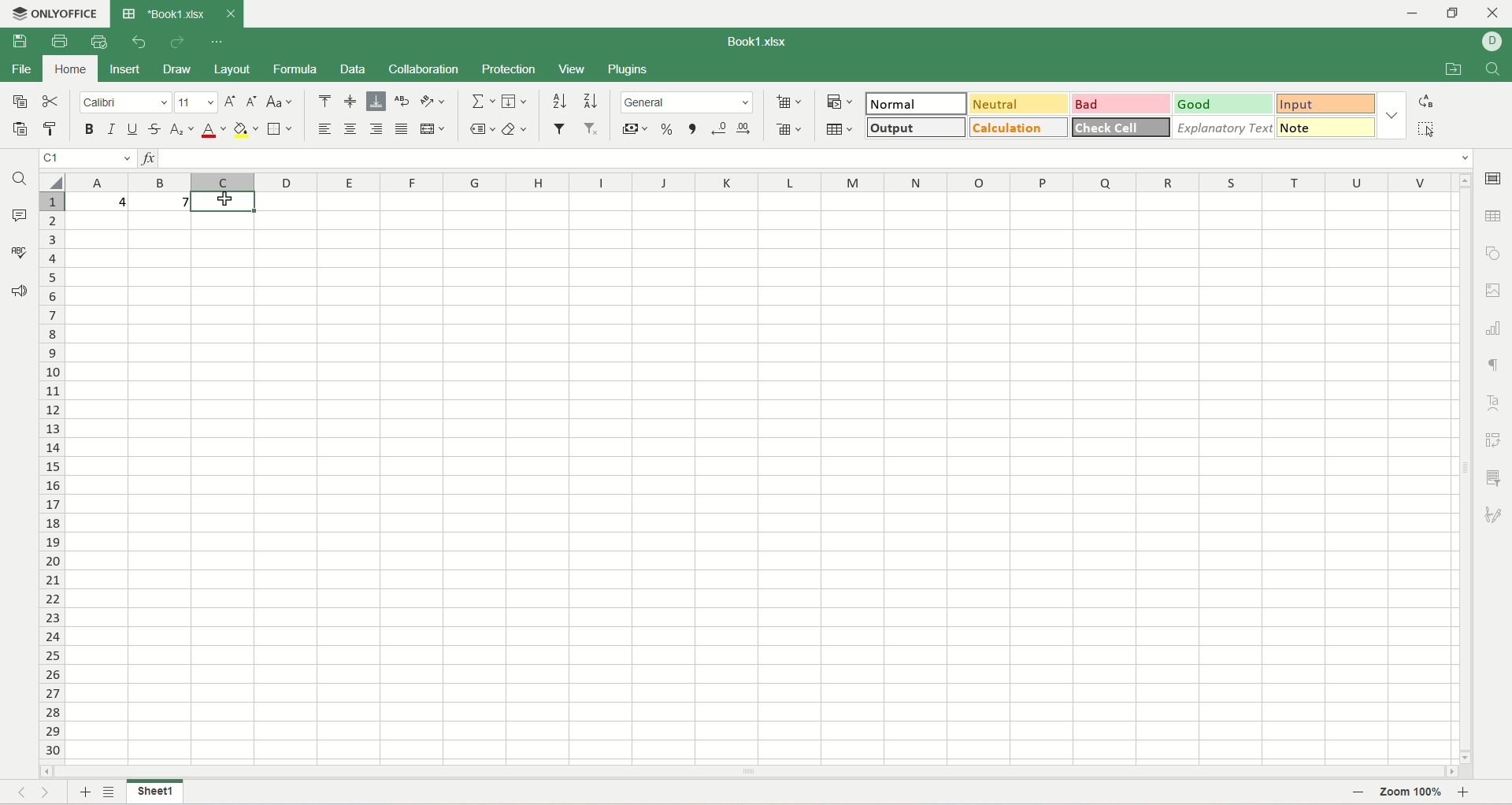 The image size is (1512, 805). I want to click on check cell, so click(1119, 128).